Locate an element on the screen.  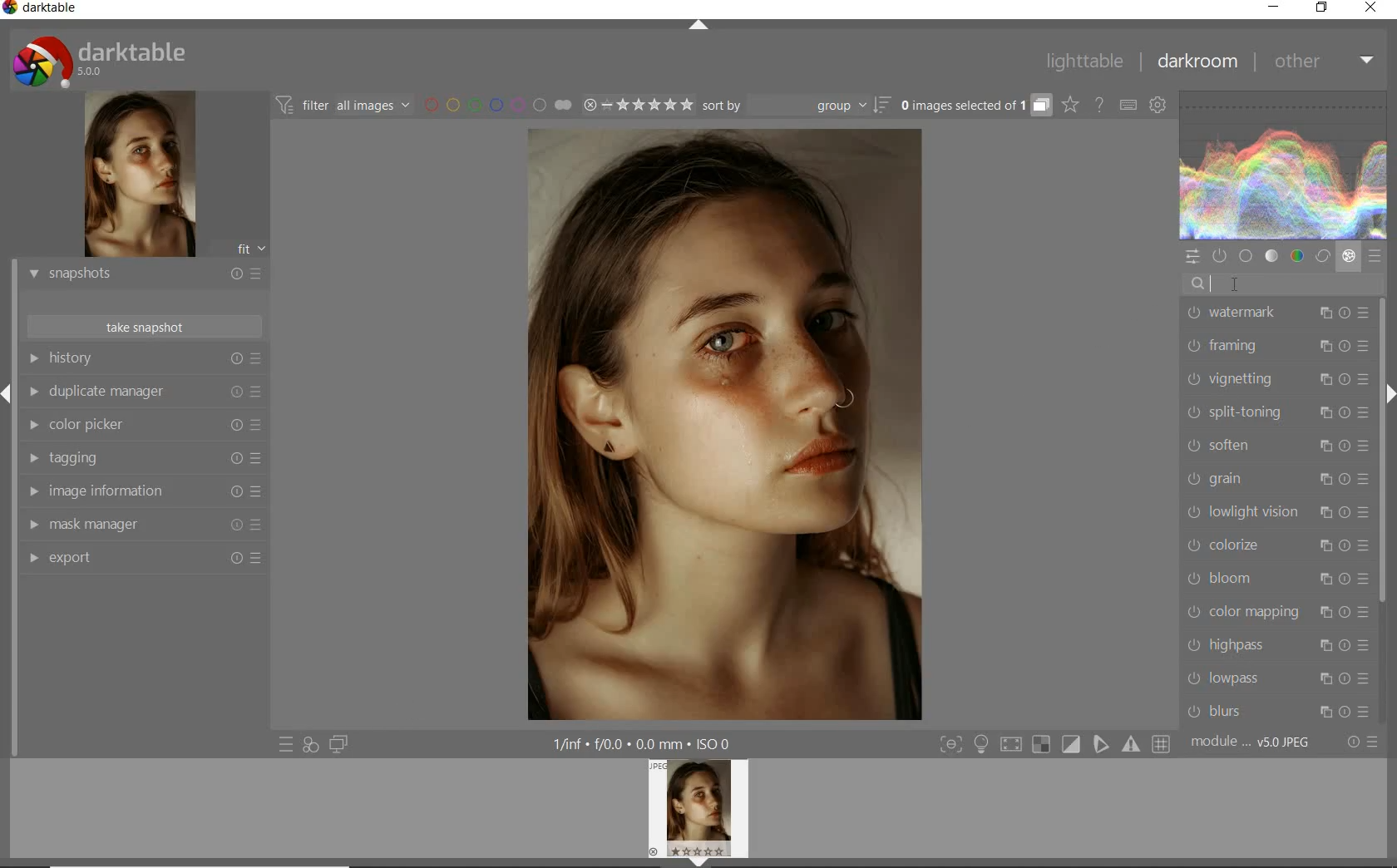
color mapping is located at coordinates (1275, 611).